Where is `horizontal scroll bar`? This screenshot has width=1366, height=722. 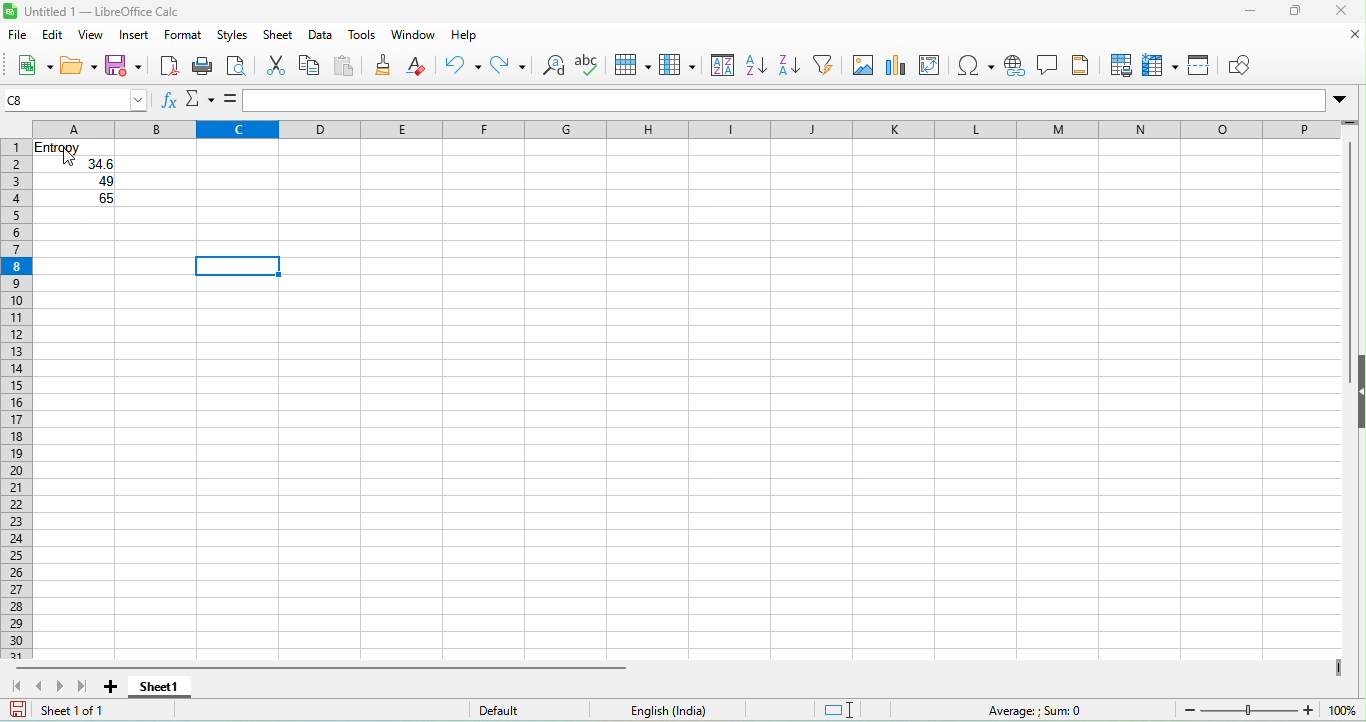 horizontal scroll bar is located at coordinates (318, 667).